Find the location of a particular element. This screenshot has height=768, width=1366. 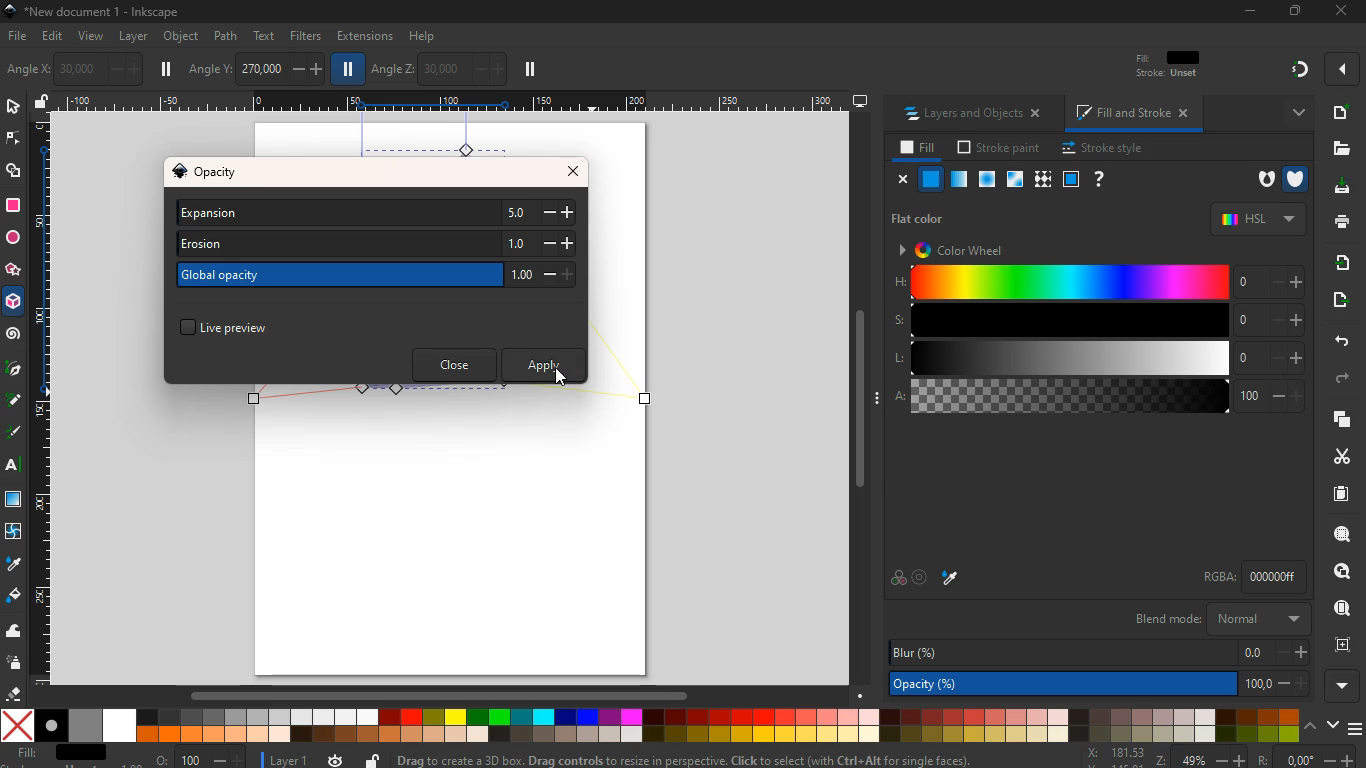

object is located at coordinates (181, 36).